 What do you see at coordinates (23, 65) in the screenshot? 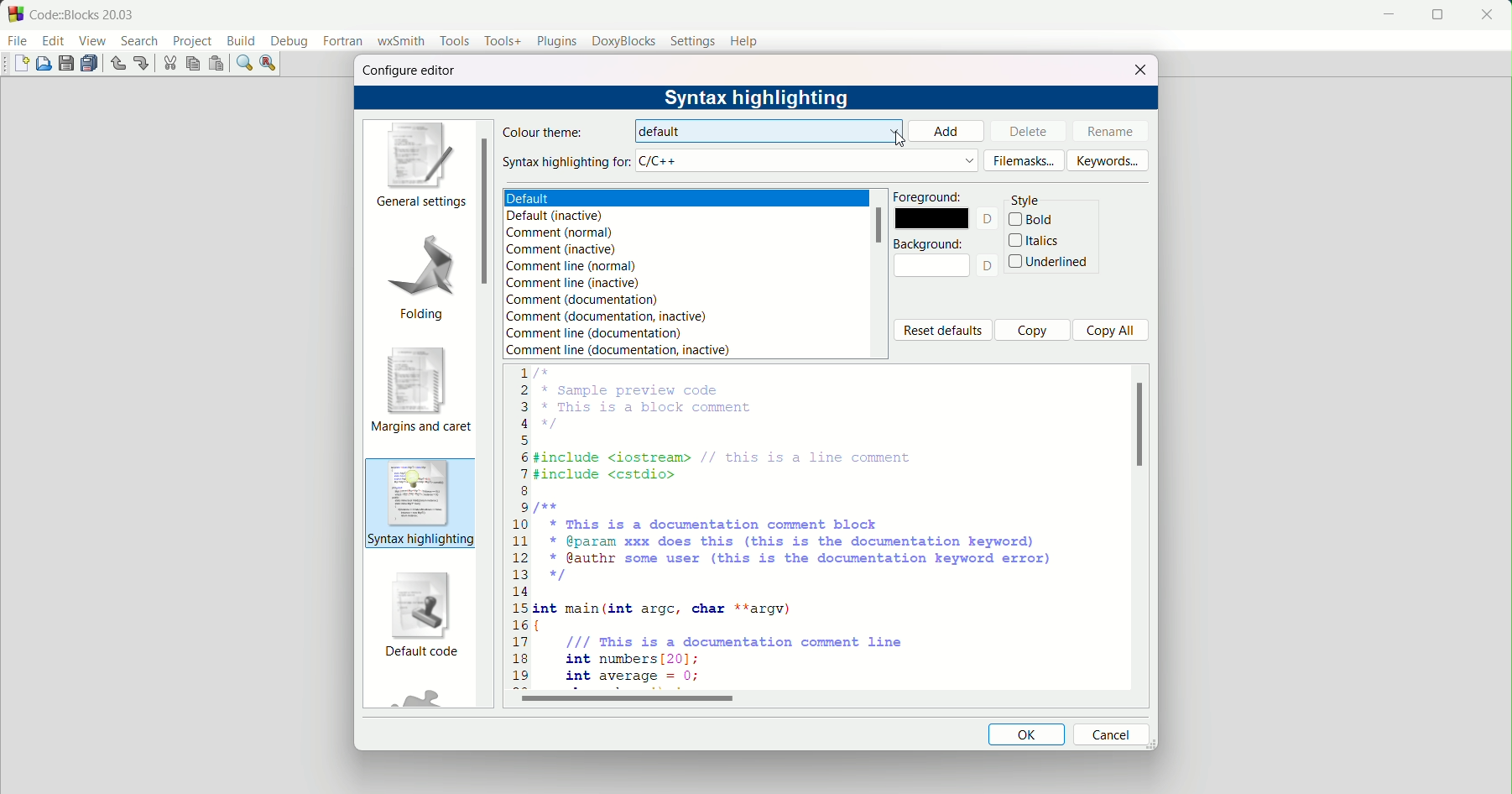
I see `new file` at bounding box center [23, 65].